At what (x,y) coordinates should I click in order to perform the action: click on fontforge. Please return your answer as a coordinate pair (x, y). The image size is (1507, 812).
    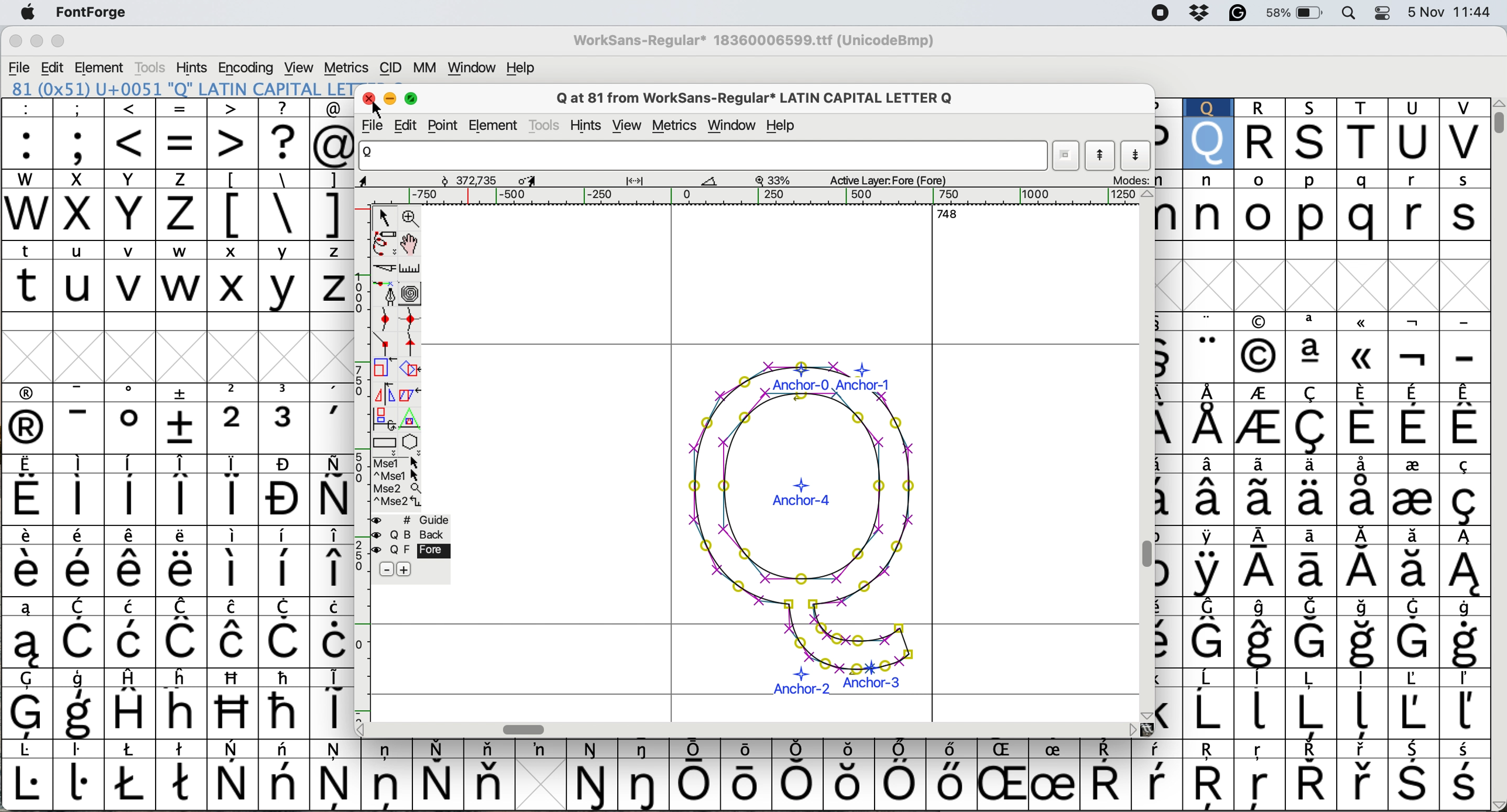
    Looking at the image, I should click on (87, 12).